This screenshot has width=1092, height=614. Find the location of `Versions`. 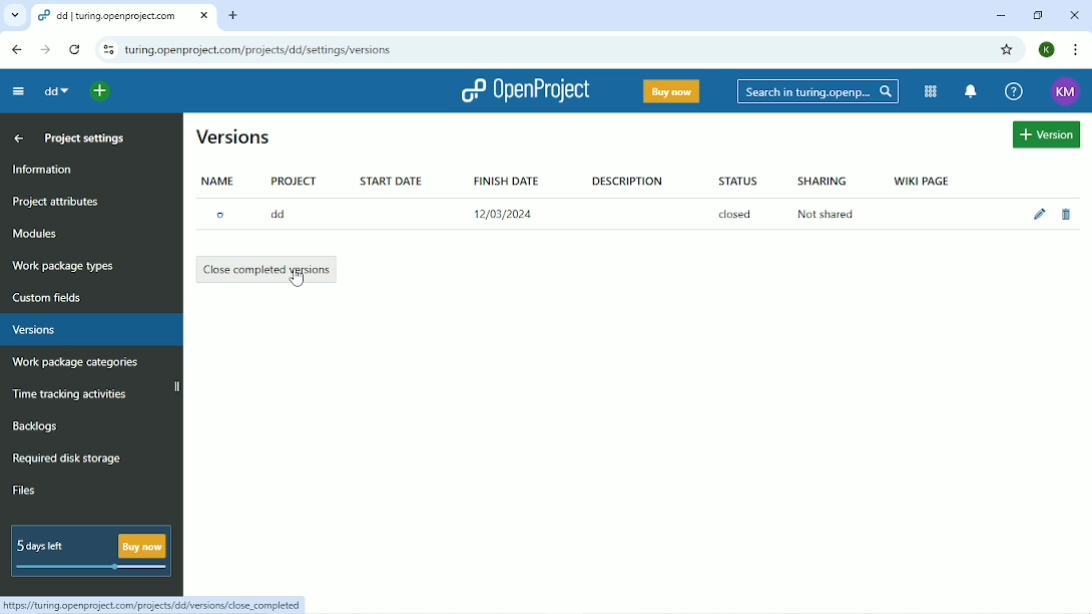

Versions is located at coordinates (36, 330).